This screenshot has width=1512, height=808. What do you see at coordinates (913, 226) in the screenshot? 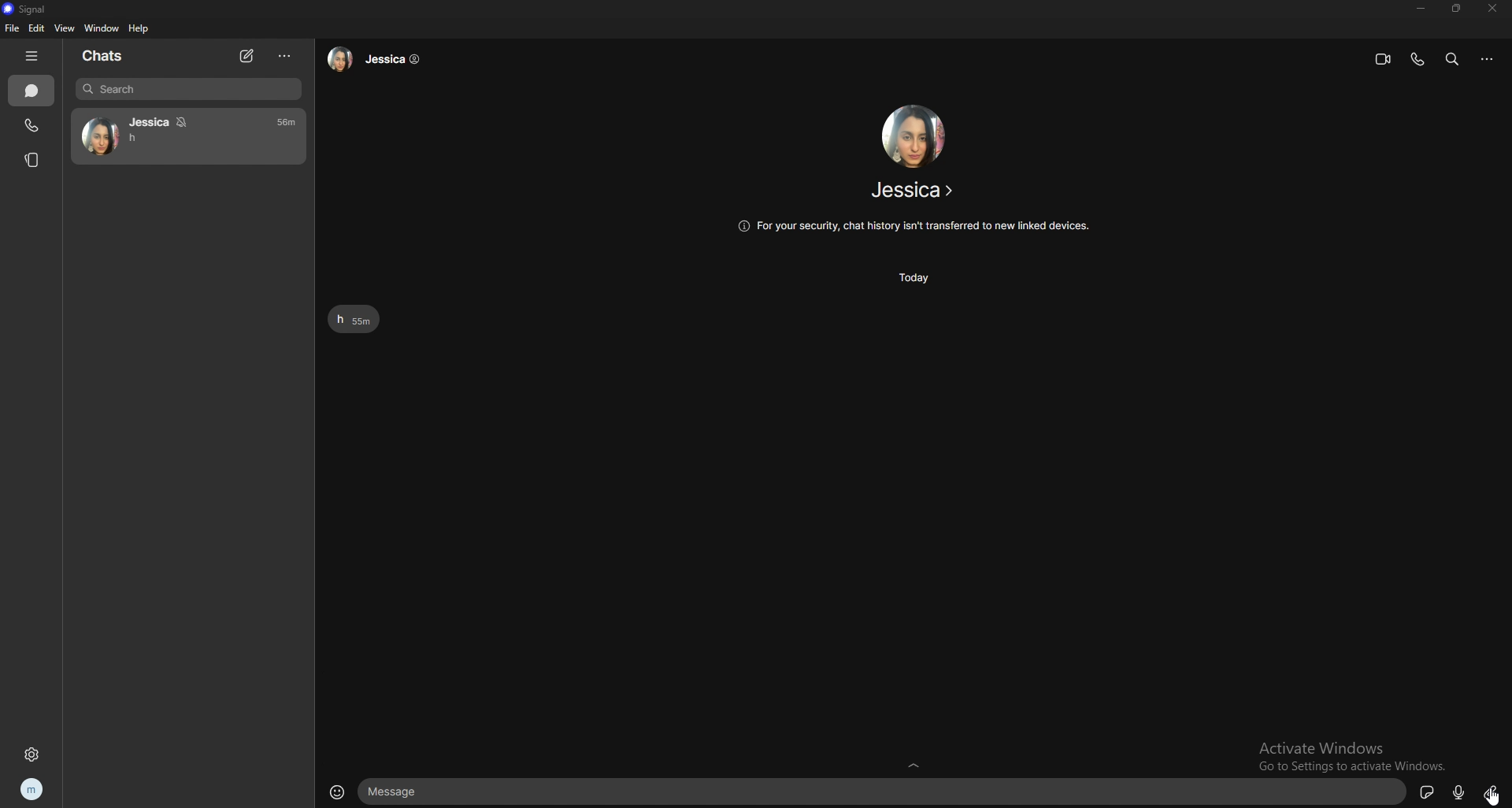
I see `info` at bounding box center [913, 226].